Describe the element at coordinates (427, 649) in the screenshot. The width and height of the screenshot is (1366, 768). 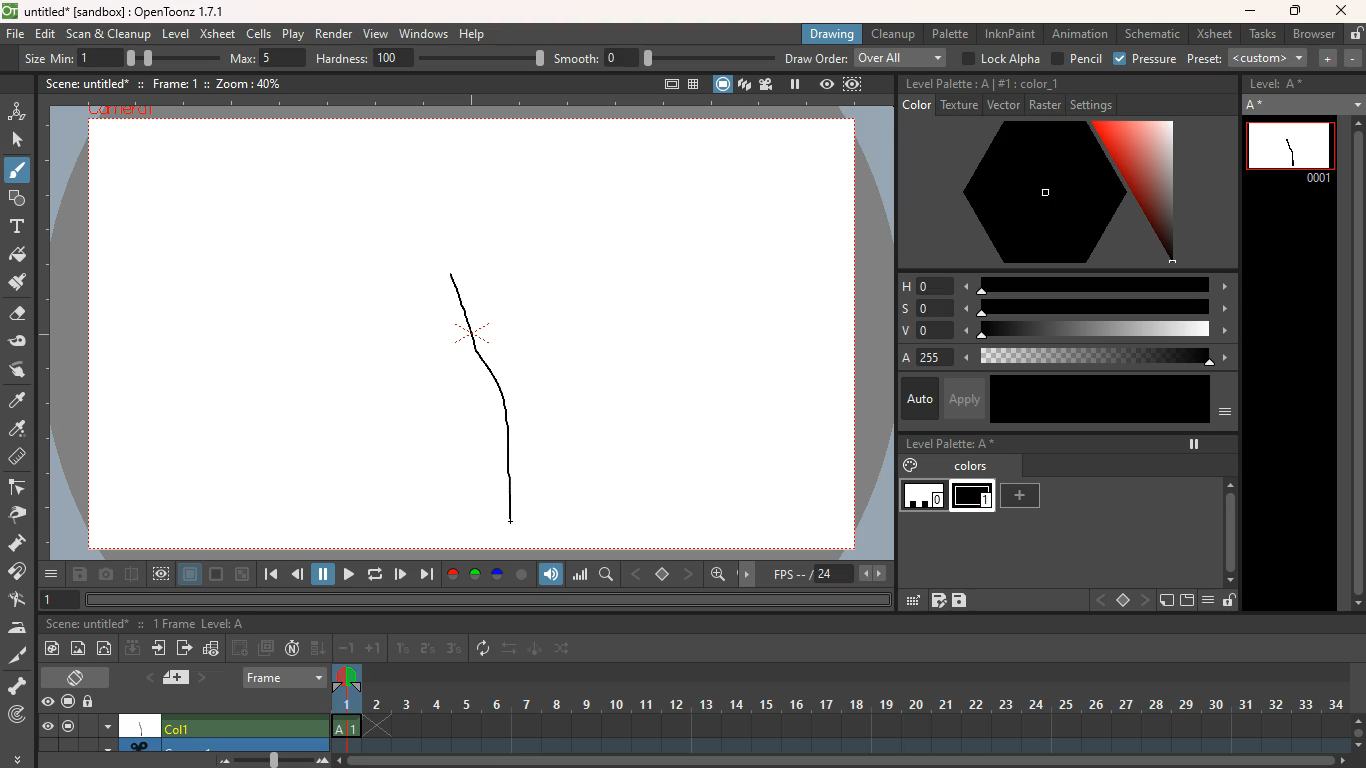
I see `2` at that location.